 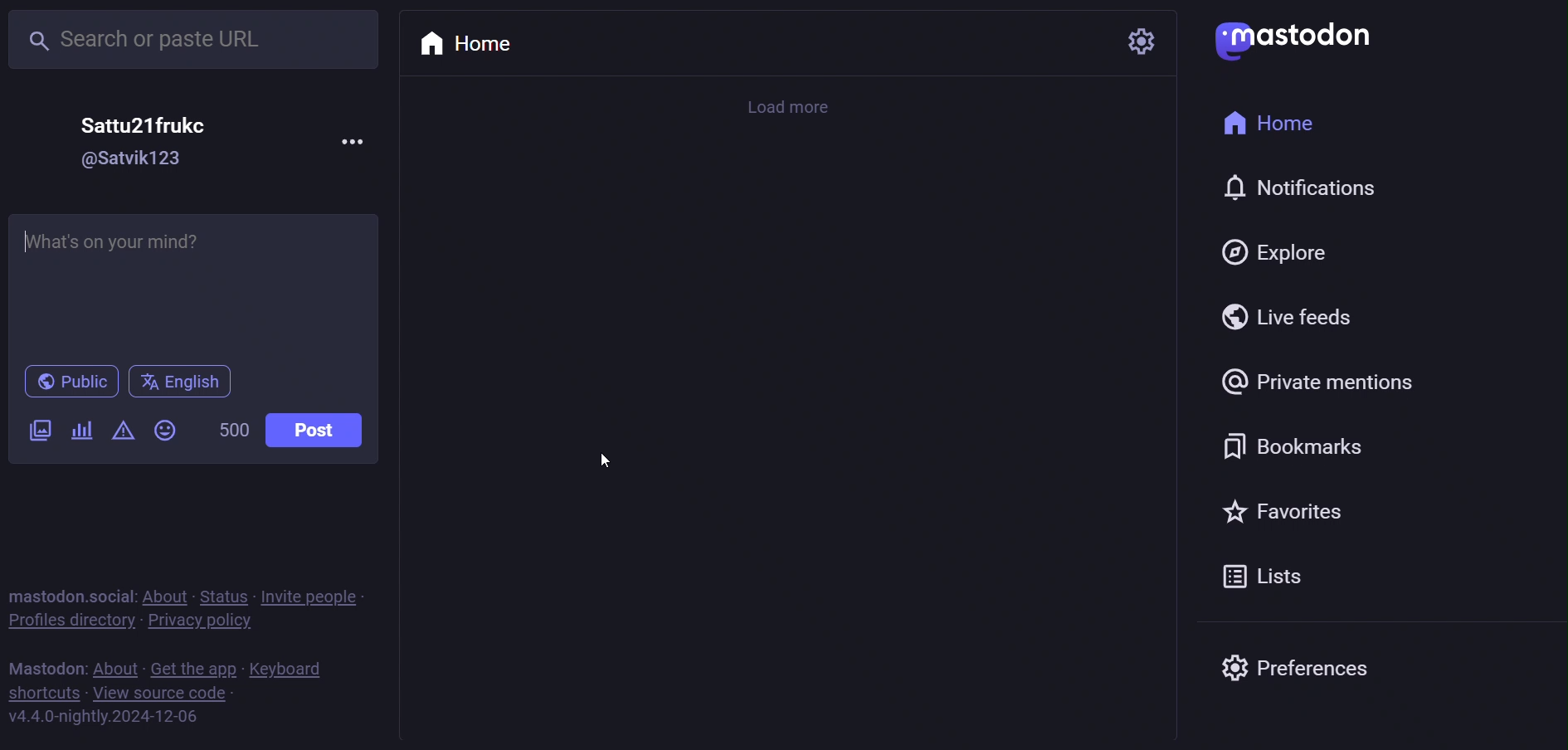 I want to click on list, so click(x=1254, y=577).